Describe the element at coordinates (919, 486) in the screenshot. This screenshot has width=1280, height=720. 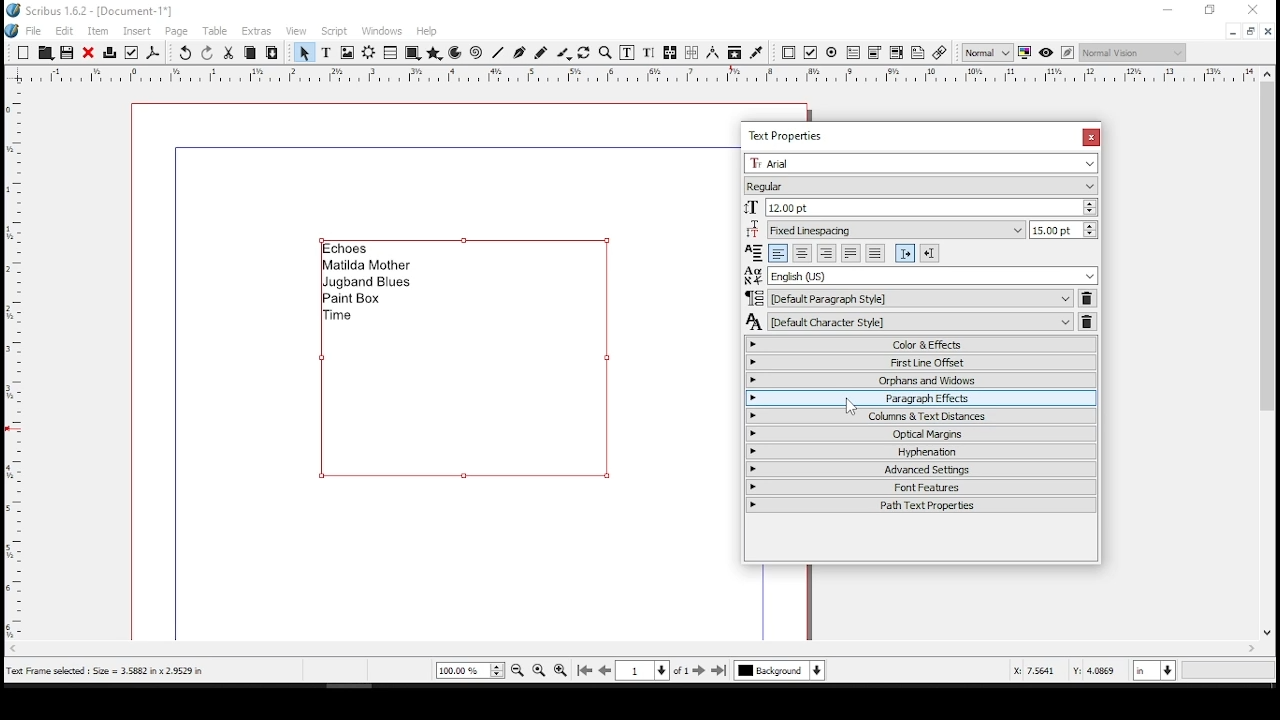
I see `font features` at that location.